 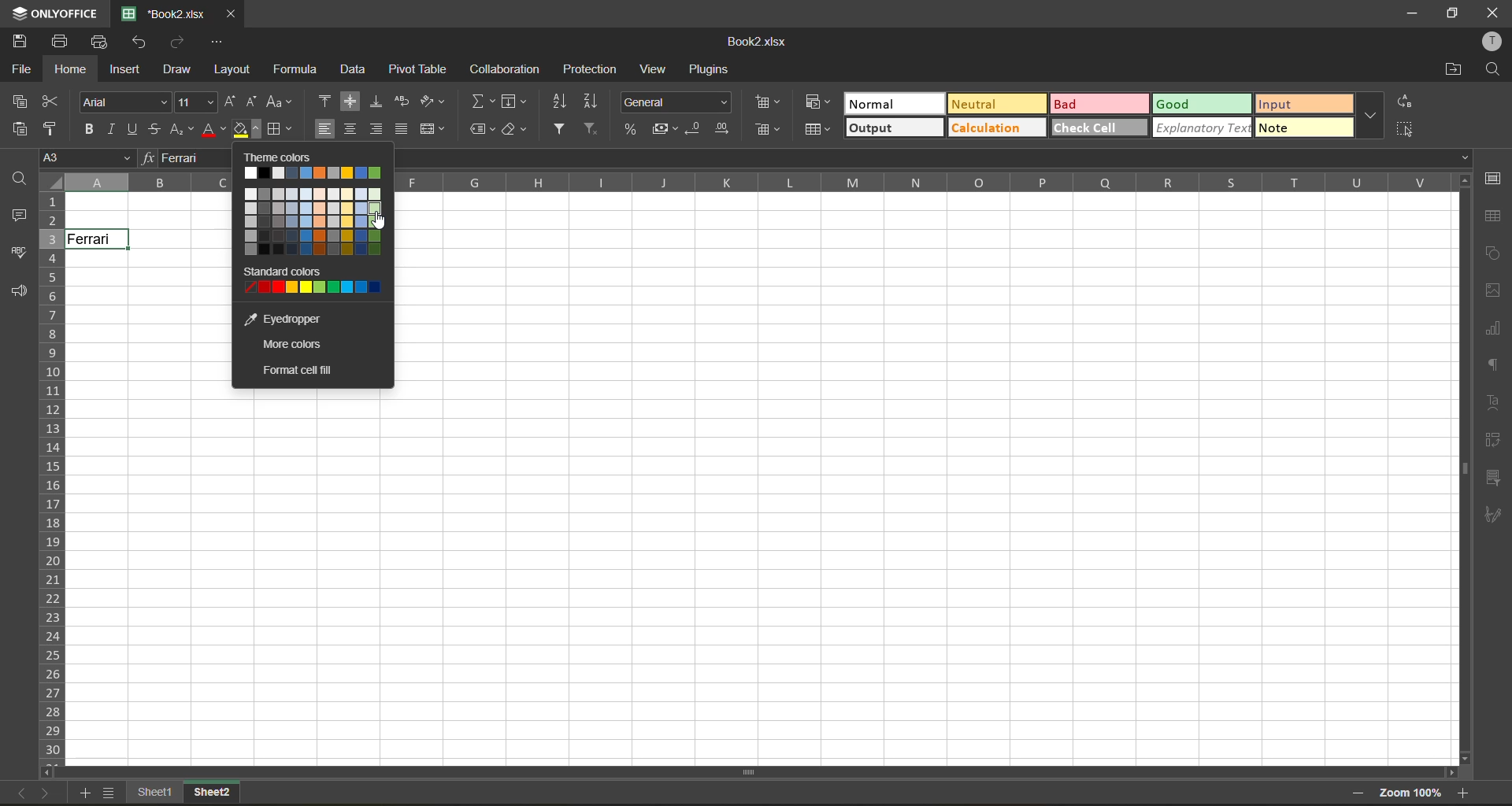 What do you see at coordinates (432, 102) in the screenshot?
I see `orientation` at bounding box center [432, 102].